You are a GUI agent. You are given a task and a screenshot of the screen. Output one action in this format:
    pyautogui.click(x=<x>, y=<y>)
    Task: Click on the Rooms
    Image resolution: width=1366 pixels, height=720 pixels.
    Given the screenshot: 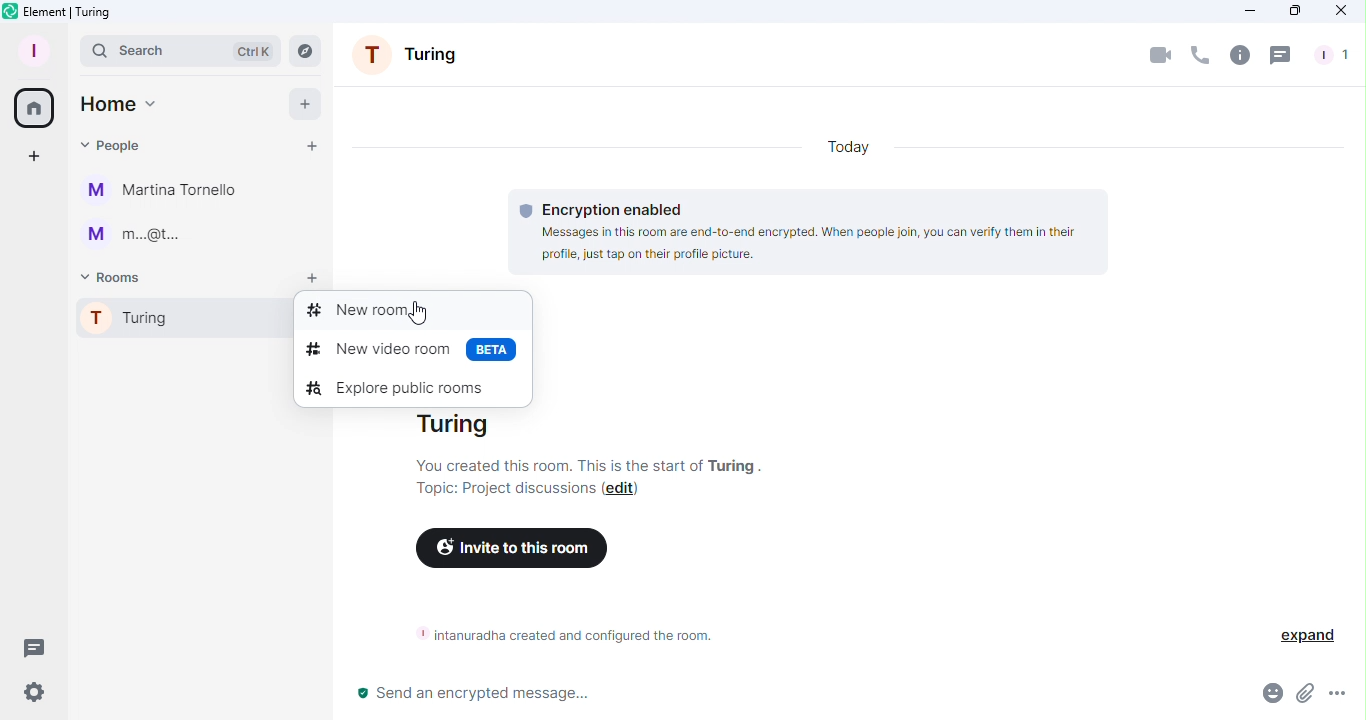 What is the action you would take?
    pyautogui.click(x=116, y=276)
    